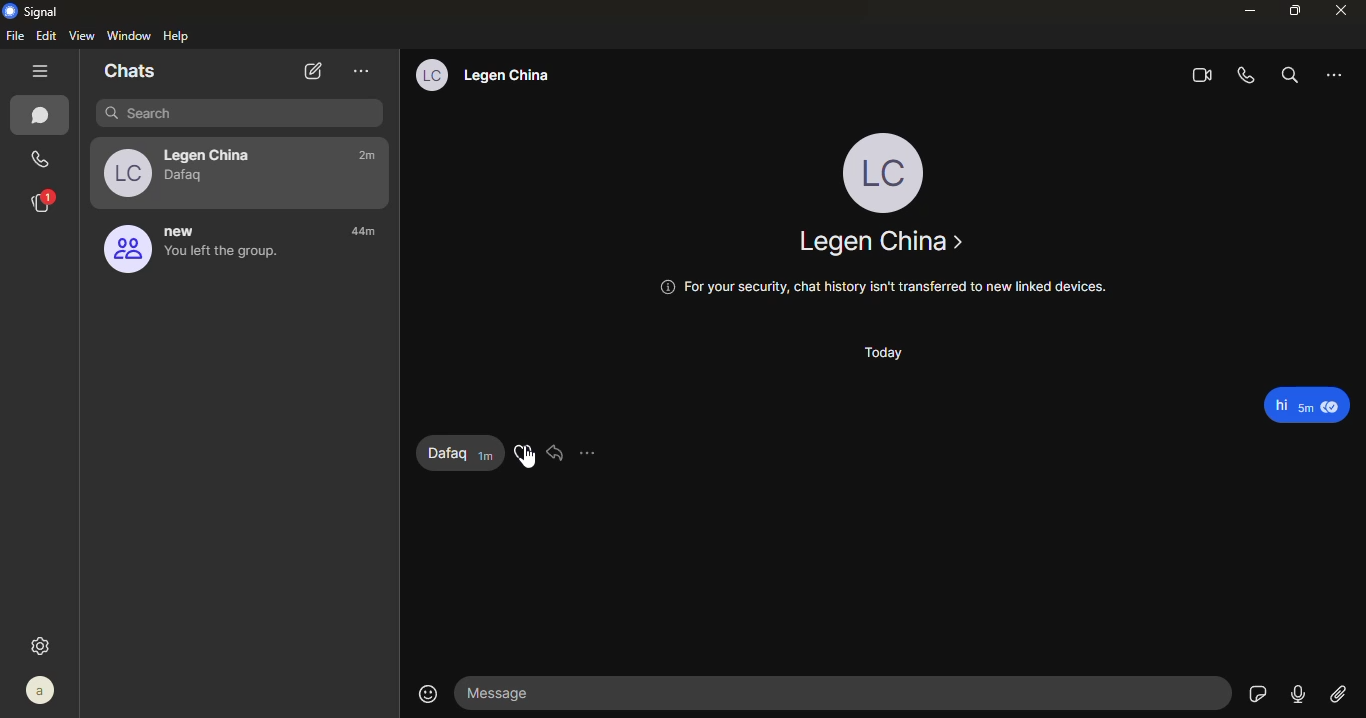  I want to click on you left the group, so click(222, 259).